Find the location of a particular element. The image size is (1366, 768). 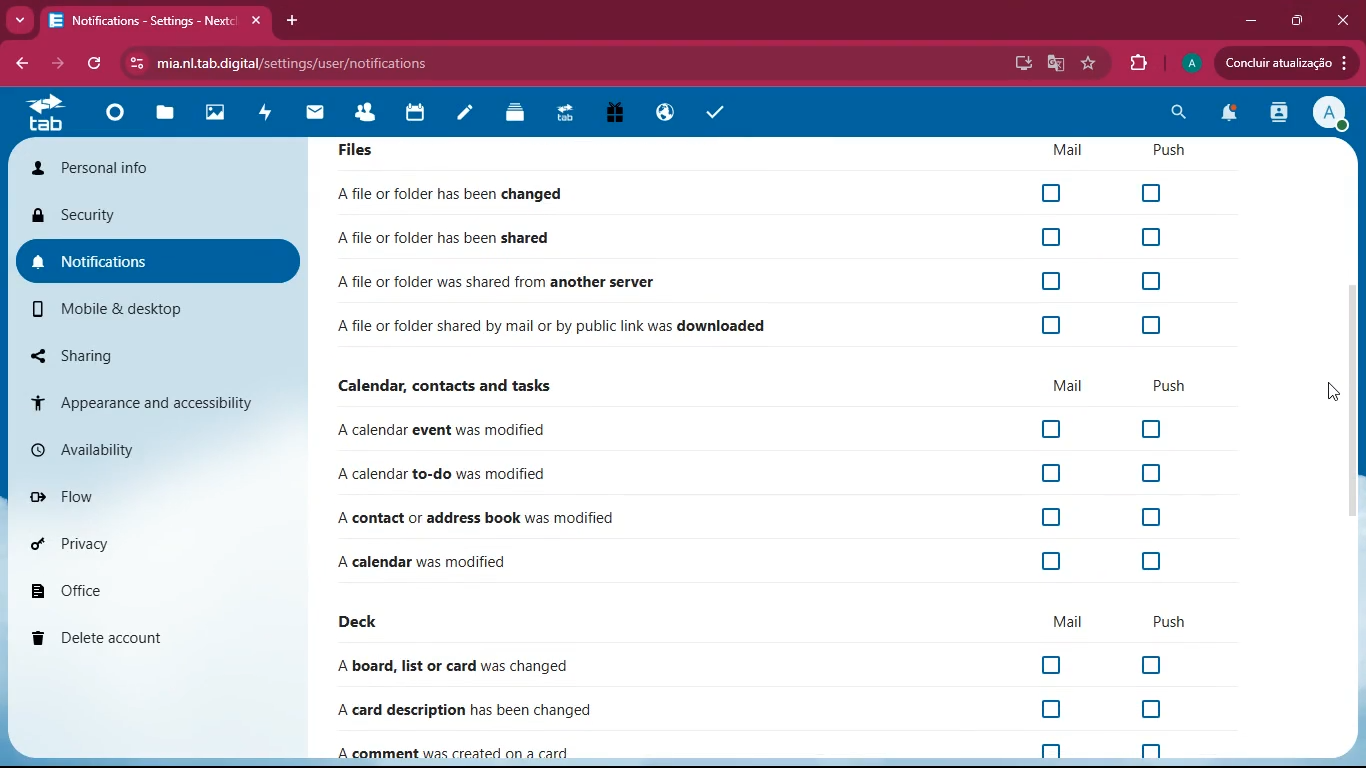

tab is located at coordinates (141, 21).